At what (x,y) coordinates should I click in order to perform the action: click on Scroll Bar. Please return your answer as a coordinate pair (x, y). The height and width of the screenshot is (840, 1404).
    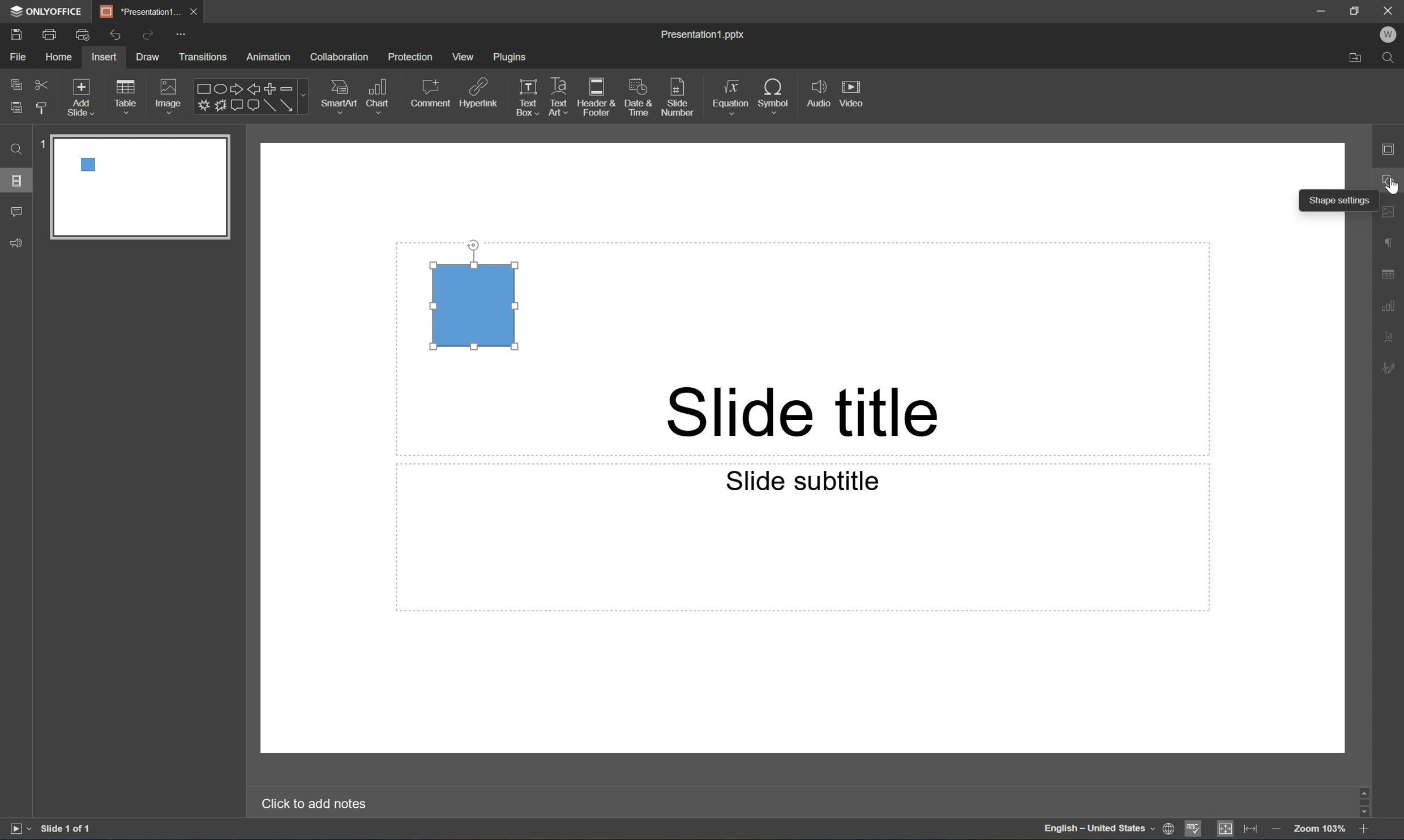
    Looking at the image, I should click on (1361, 798).